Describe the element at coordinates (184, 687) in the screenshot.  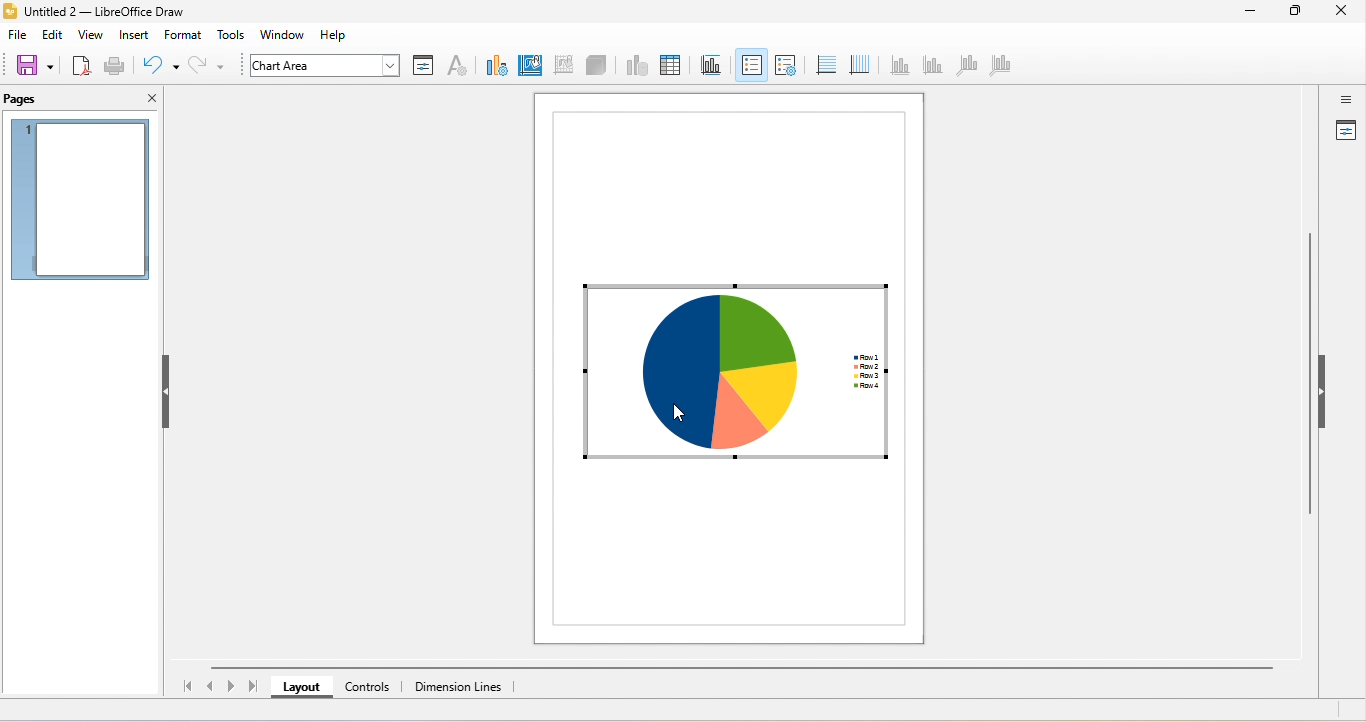
I see `first` at that location.